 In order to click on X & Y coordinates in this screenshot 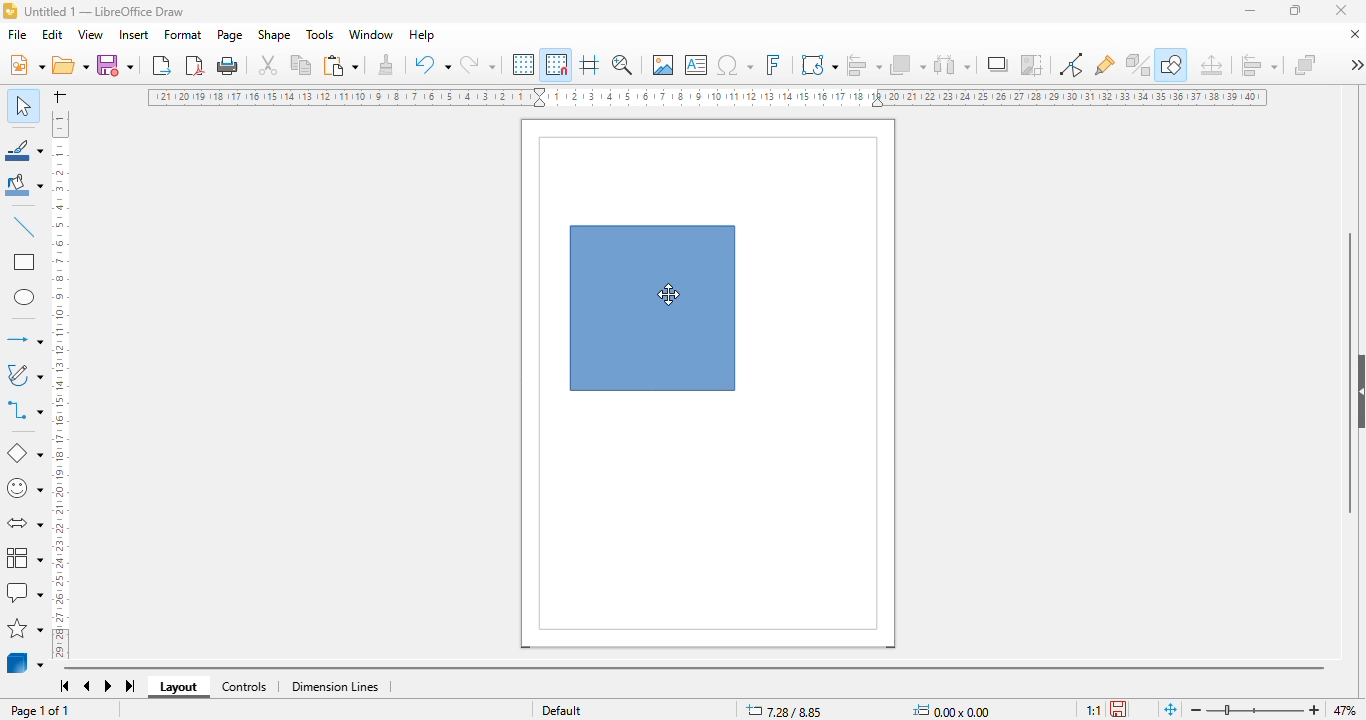, I will do `click(785, 711)`.